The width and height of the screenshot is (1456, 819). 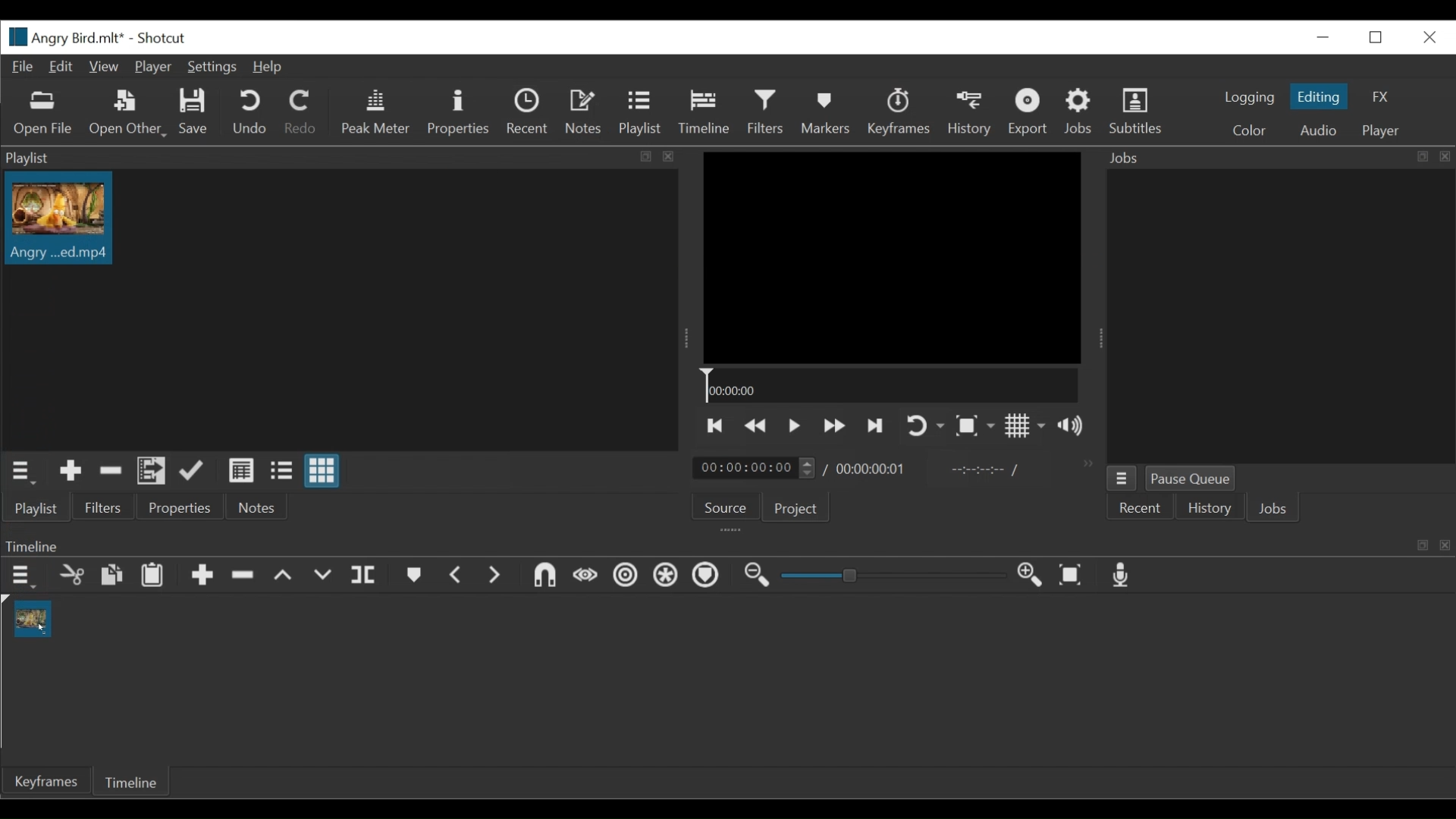 I want to click on down, so click(x=328, y=576).